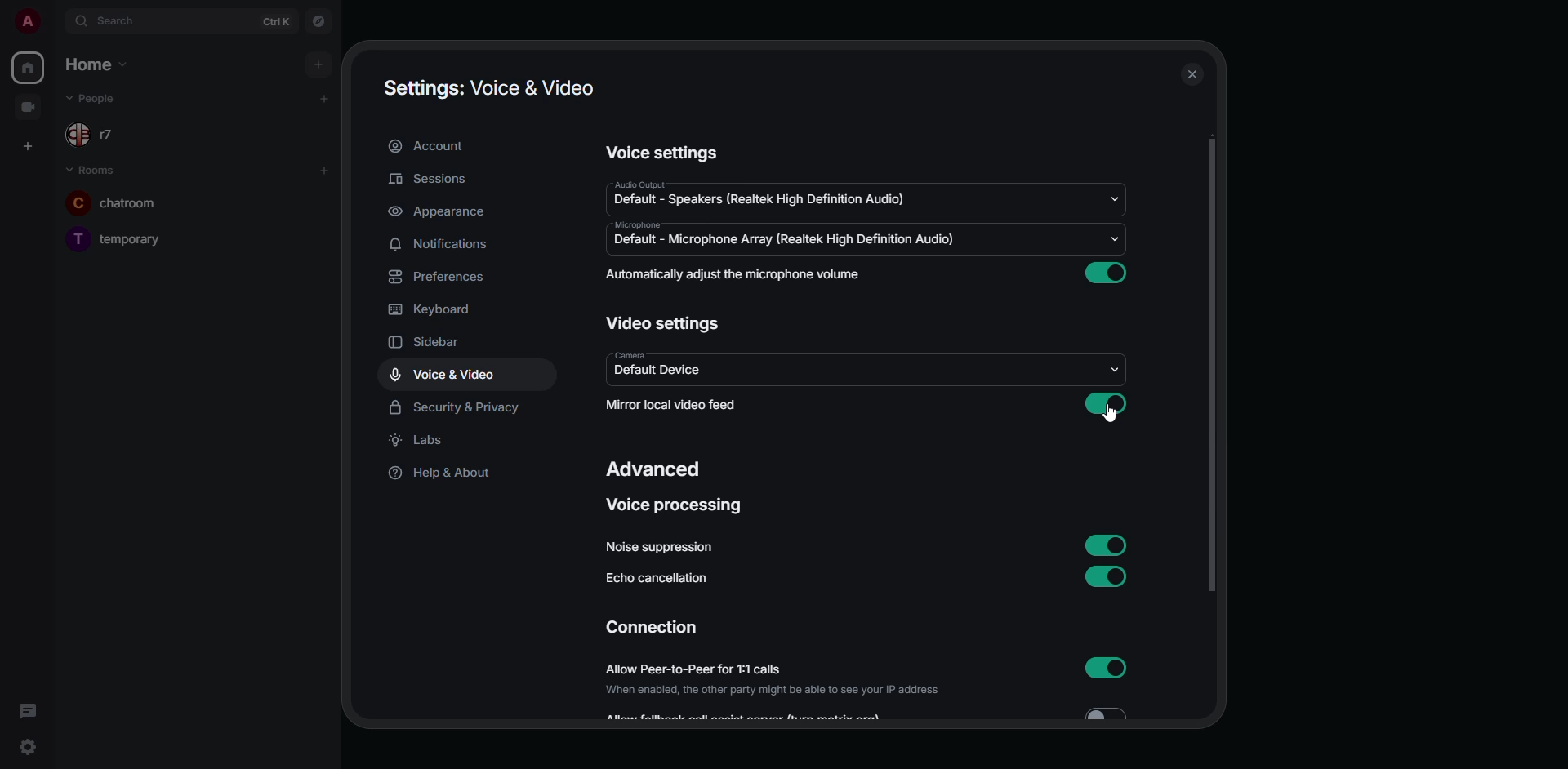  I want to click on microphone, so click(638, 224).